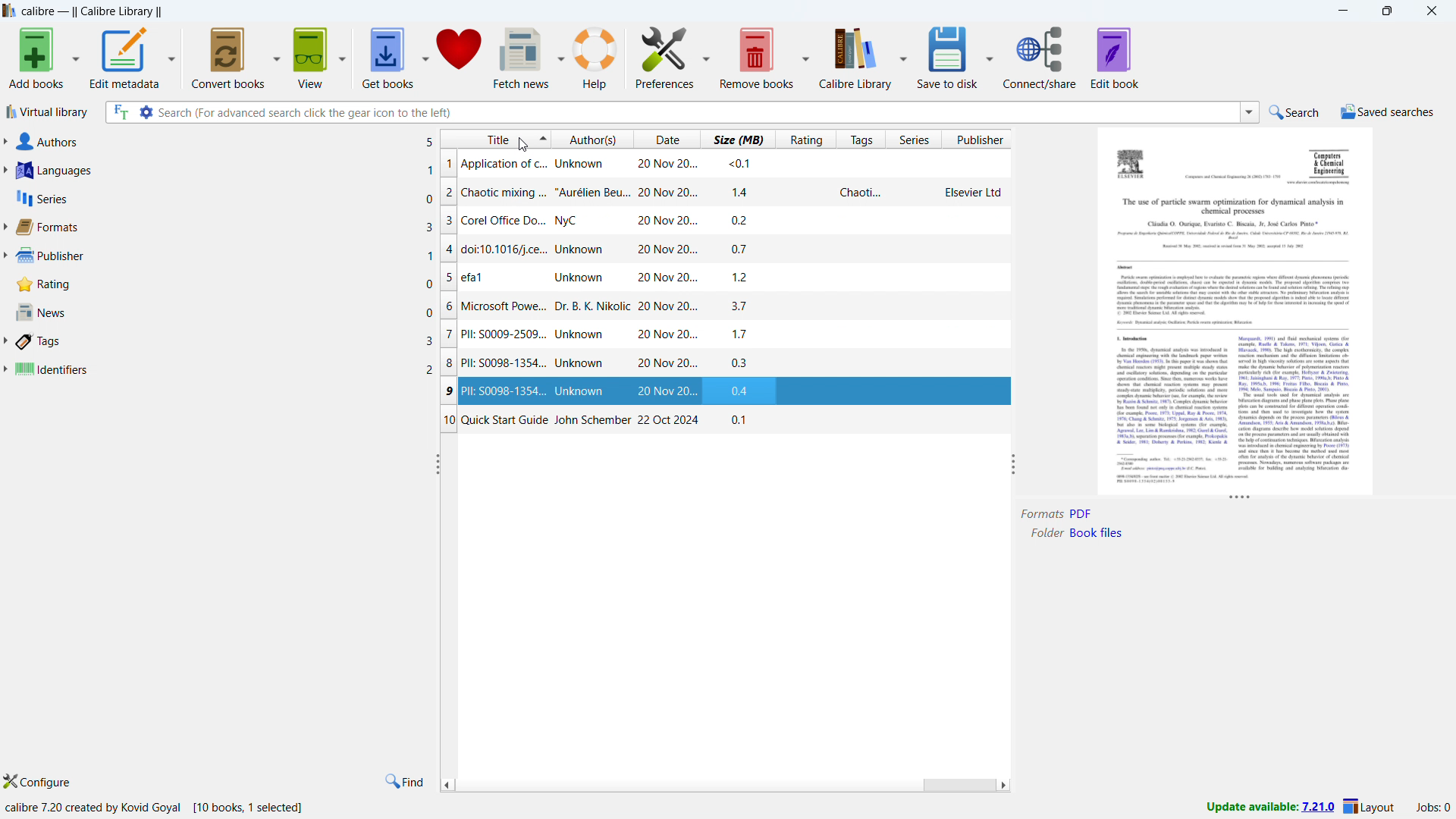 This screenshot has width=1456, height=819. Describe the element at coordinates (593, 138) in the screenshot. I see `sort by authors` at that location.